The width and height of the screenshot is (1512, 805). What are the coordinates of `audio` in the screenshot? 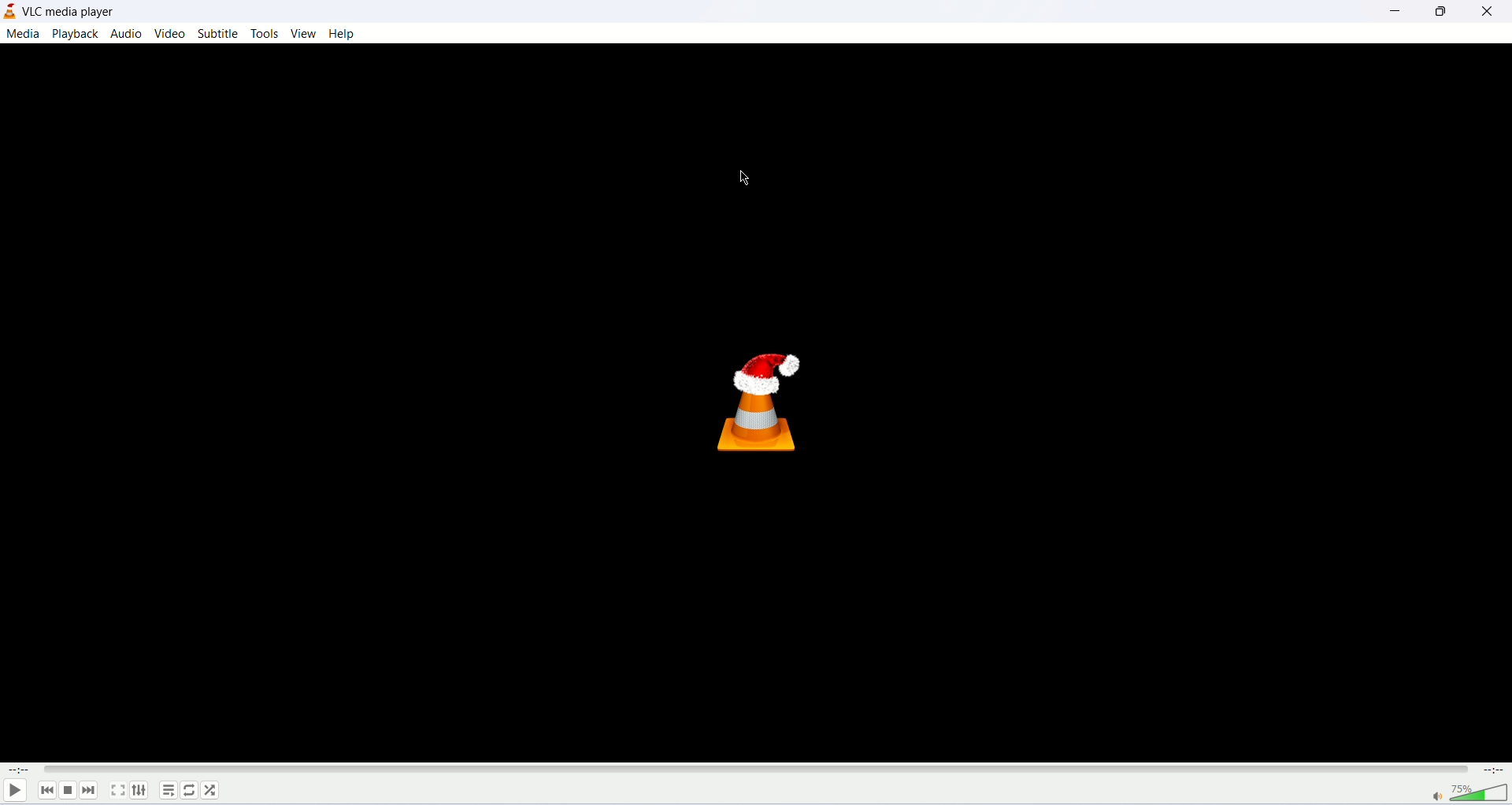 It's located at (128, 35).